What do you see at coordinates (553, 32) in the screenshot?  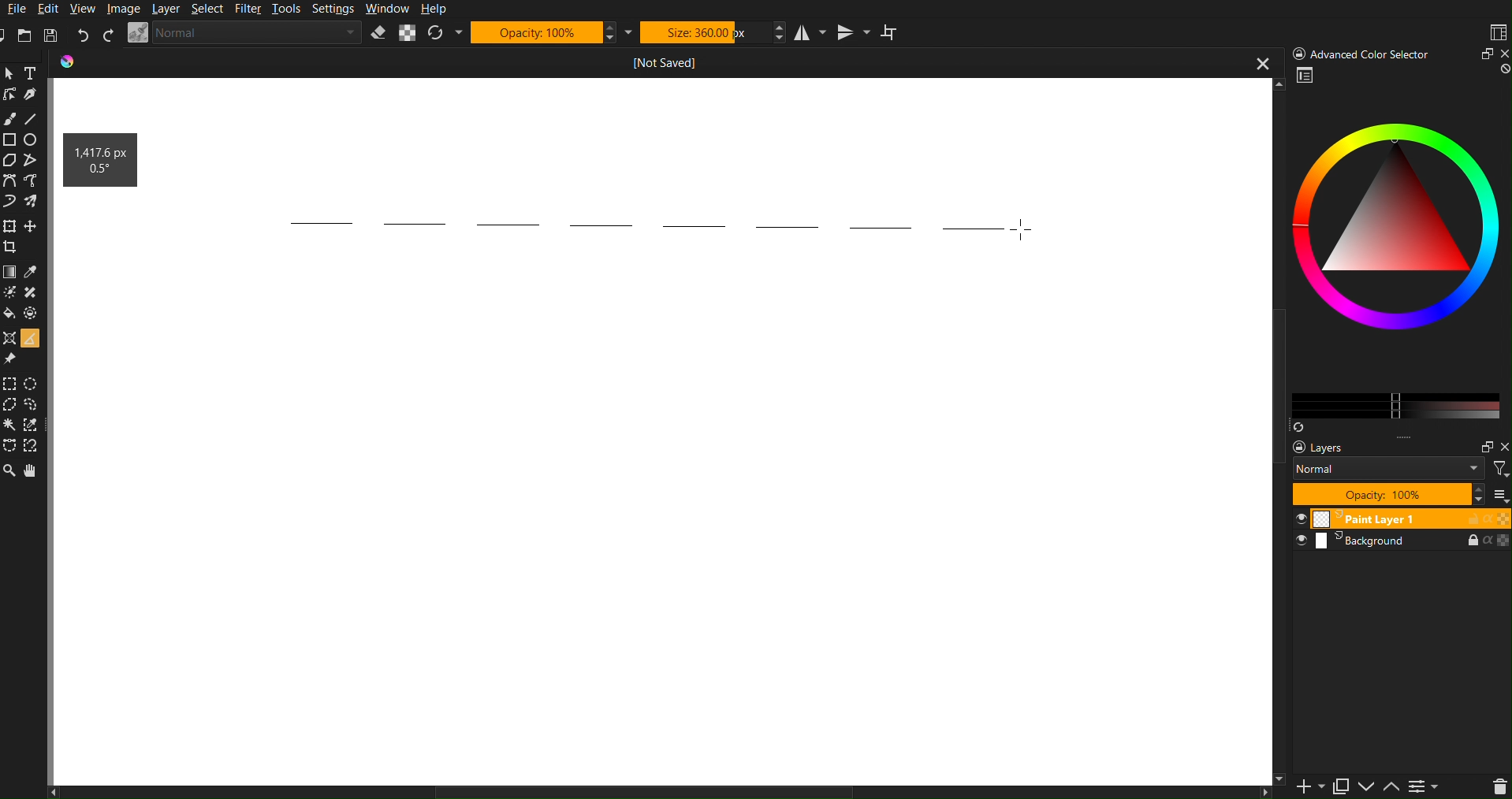 I see `Opacity` at bounding box center [553, 32].